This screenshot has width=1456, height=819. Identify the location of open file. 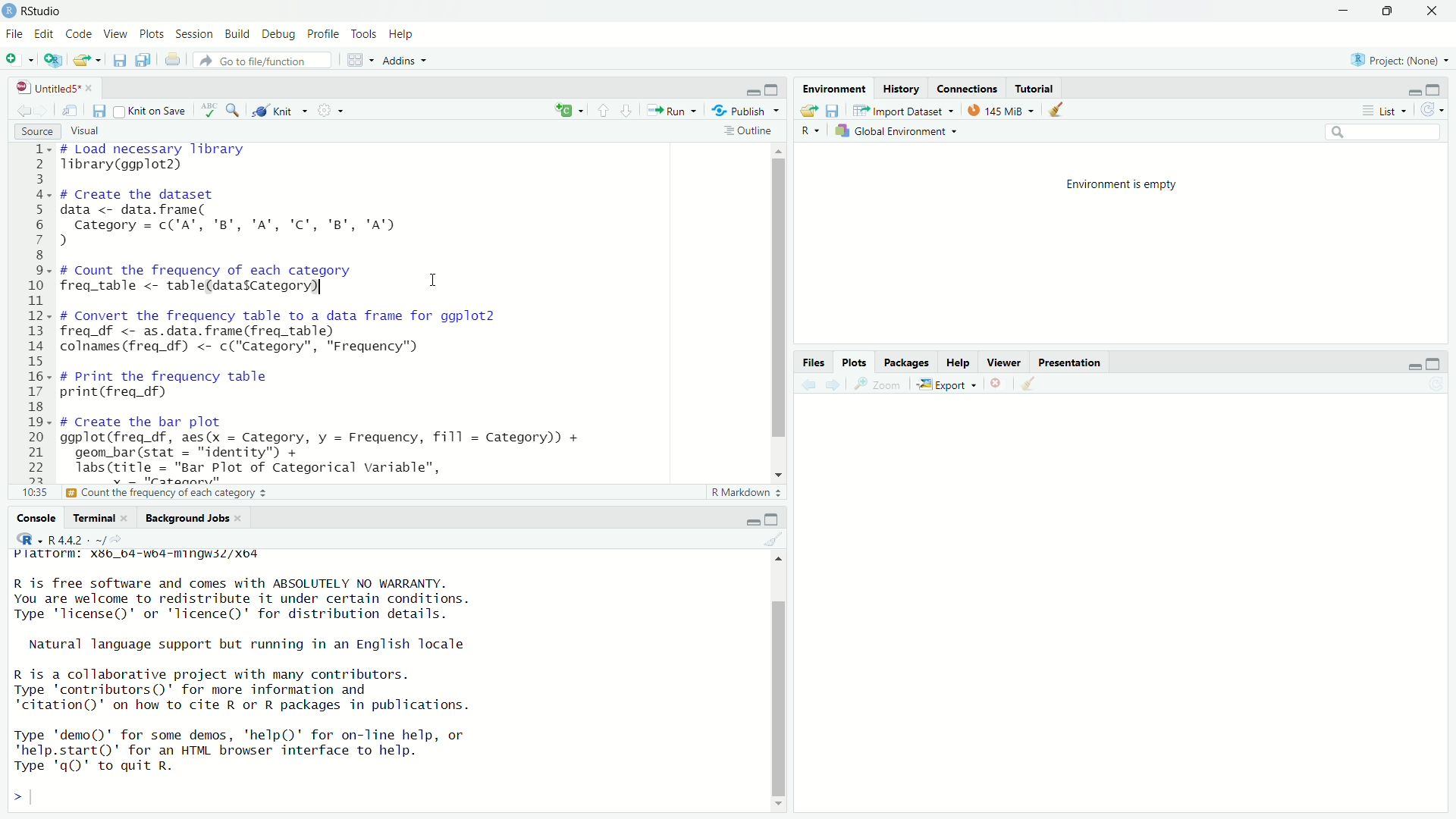
(87, 60).